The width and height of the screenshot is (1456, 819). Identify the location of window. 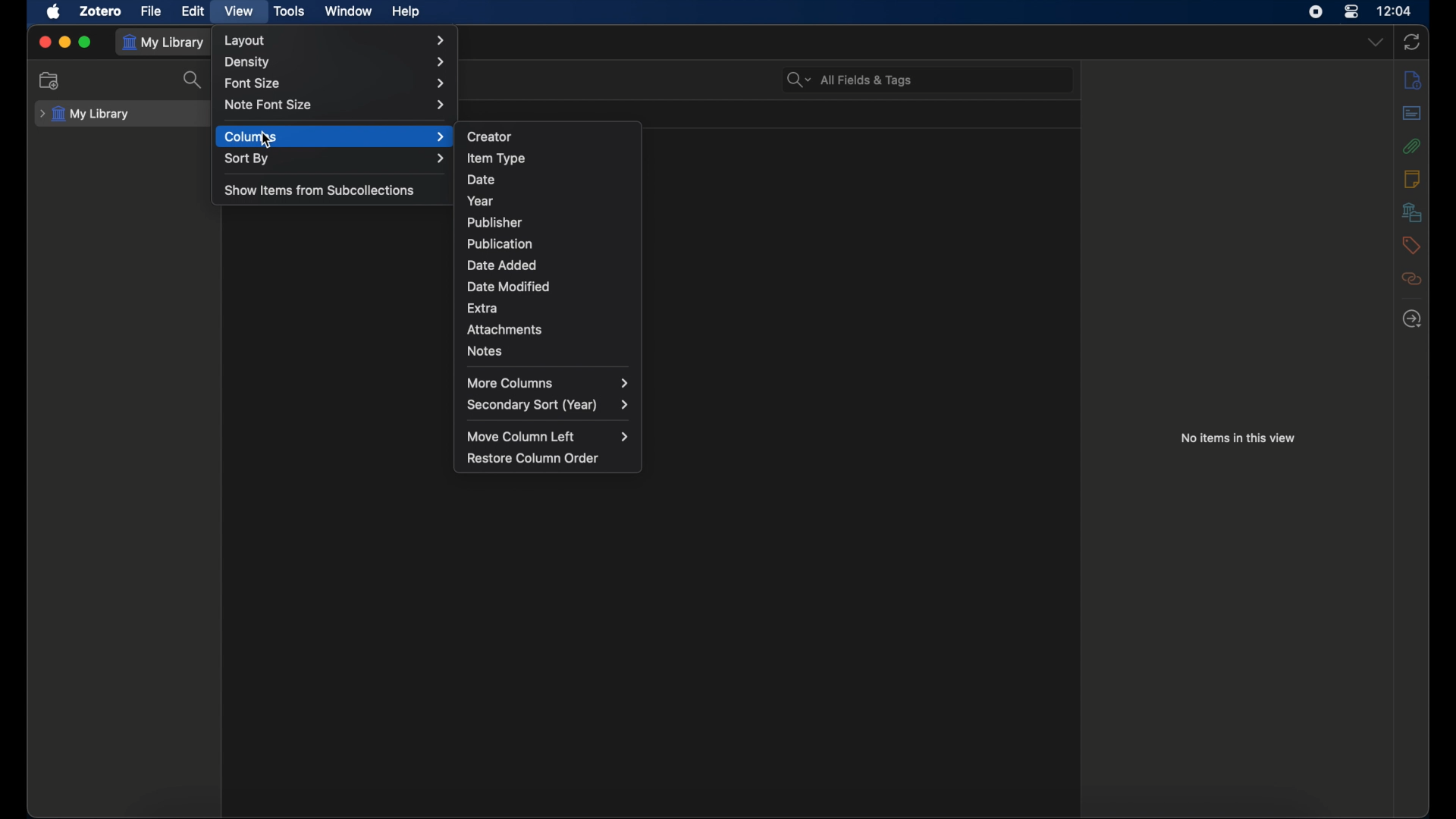
(347, 12).